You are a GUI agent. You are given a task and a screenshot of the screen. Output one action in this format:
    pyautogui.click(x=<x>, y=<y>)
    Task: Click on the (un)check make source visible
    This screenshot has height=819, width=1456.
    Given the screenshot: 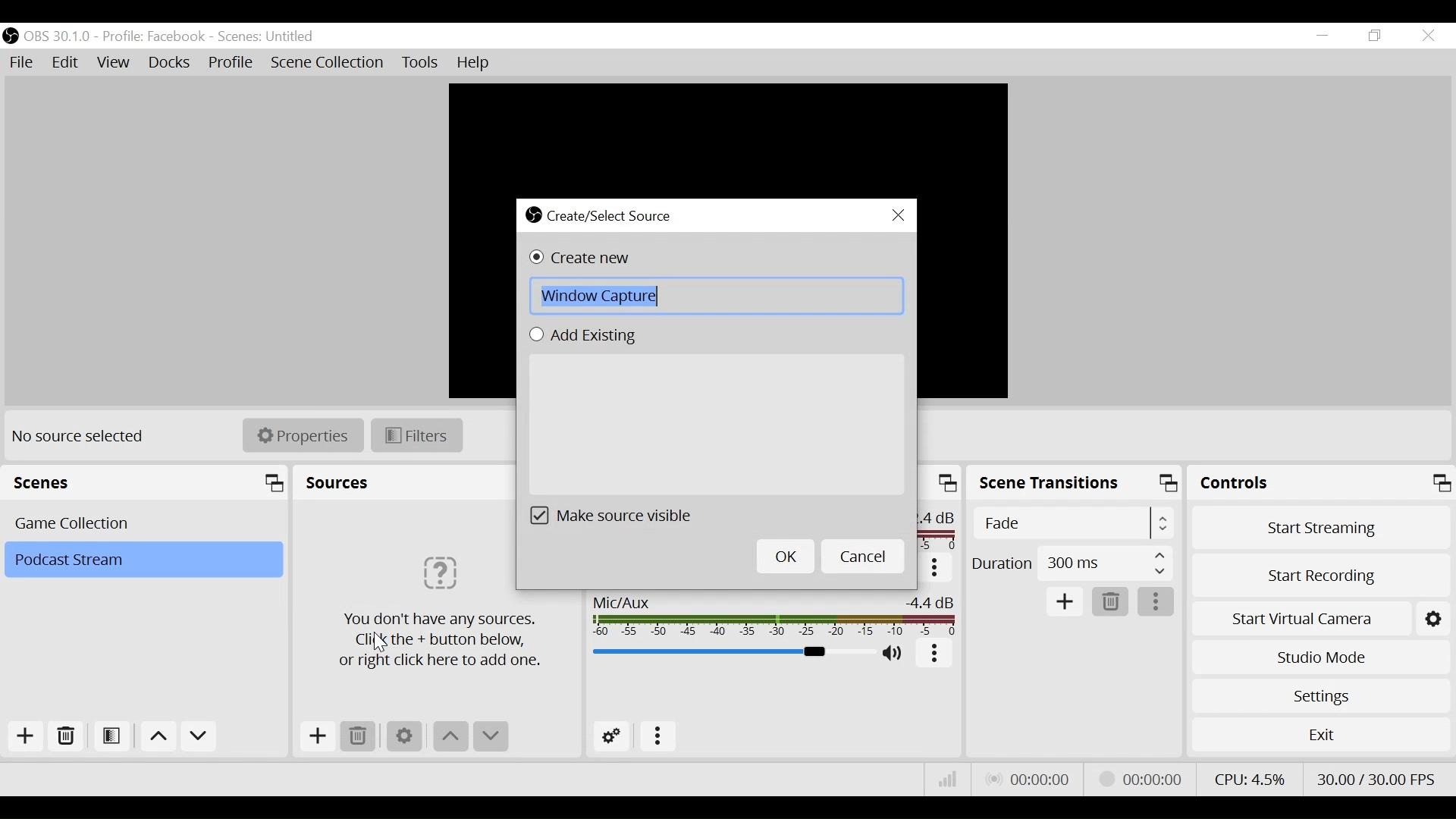 What is the action you would take?
    pyautogui.click(x=621, y=516)
    